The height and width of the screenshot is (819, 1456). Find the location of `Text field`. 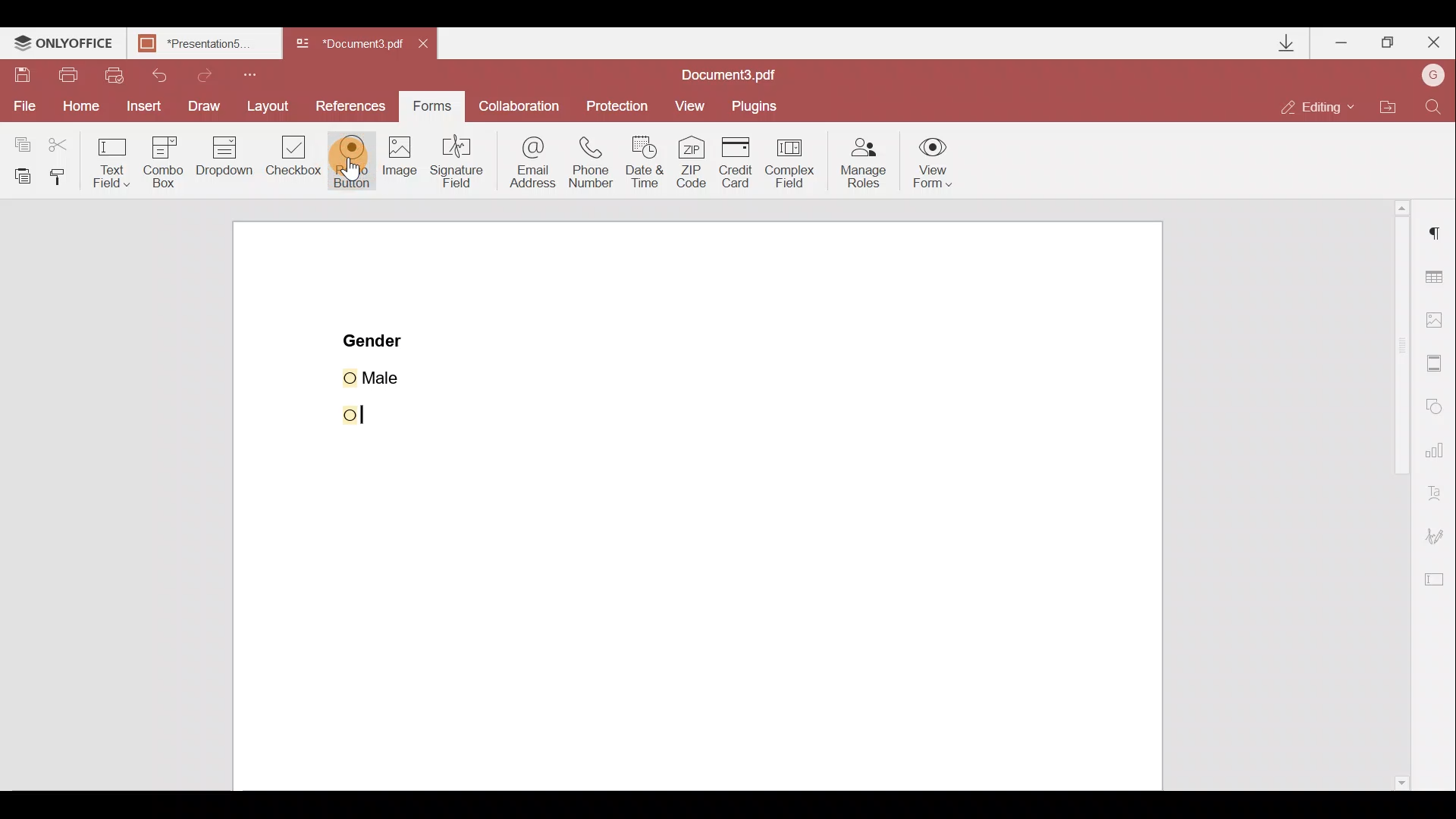

Text field is located at coordinates (109, 160).